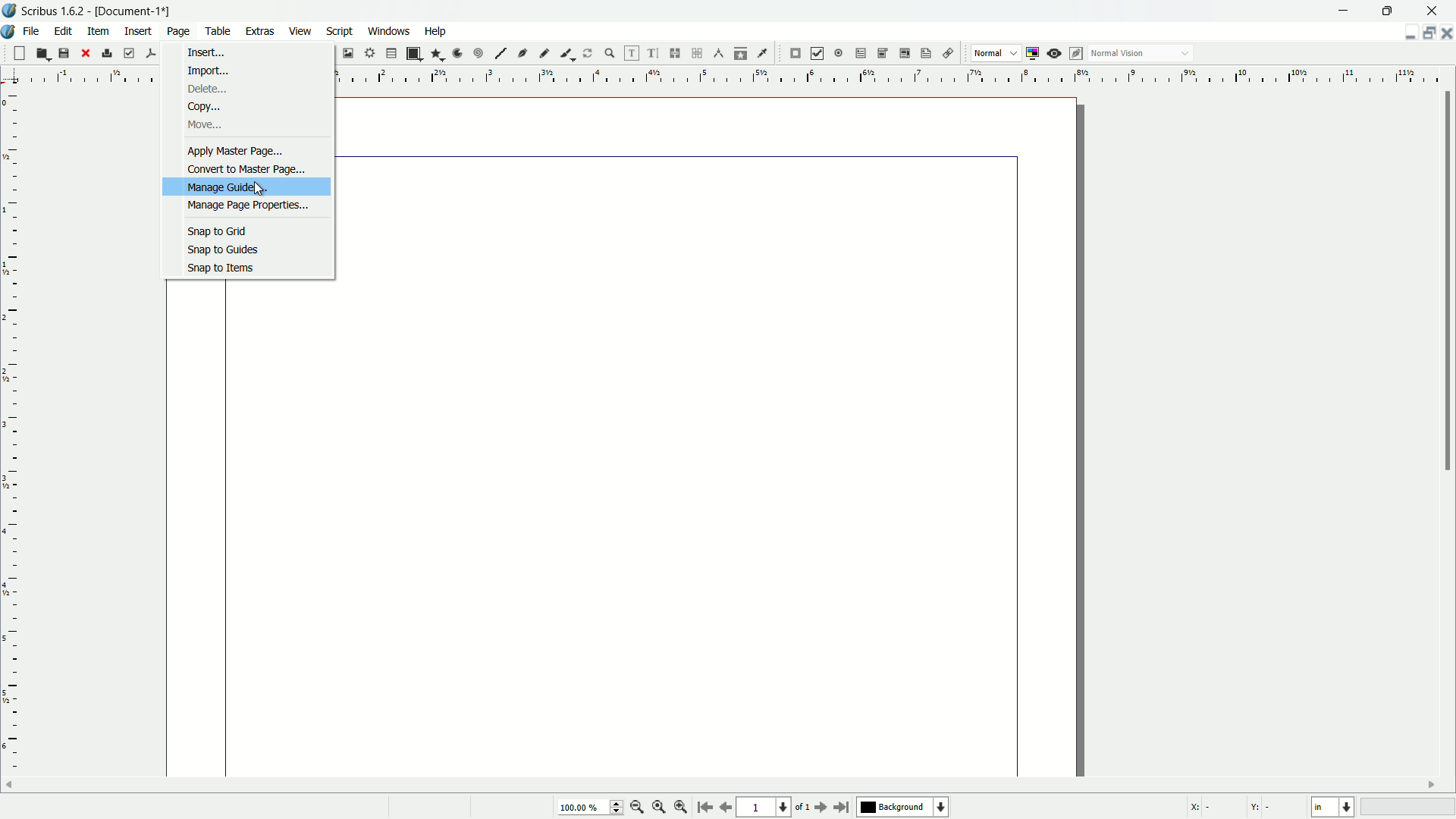 Image resolution: width=1456 pixels, height=819 pixels. Describe the element at coordinates (298, 31) in the screenshot. I see `view menu` at that location.